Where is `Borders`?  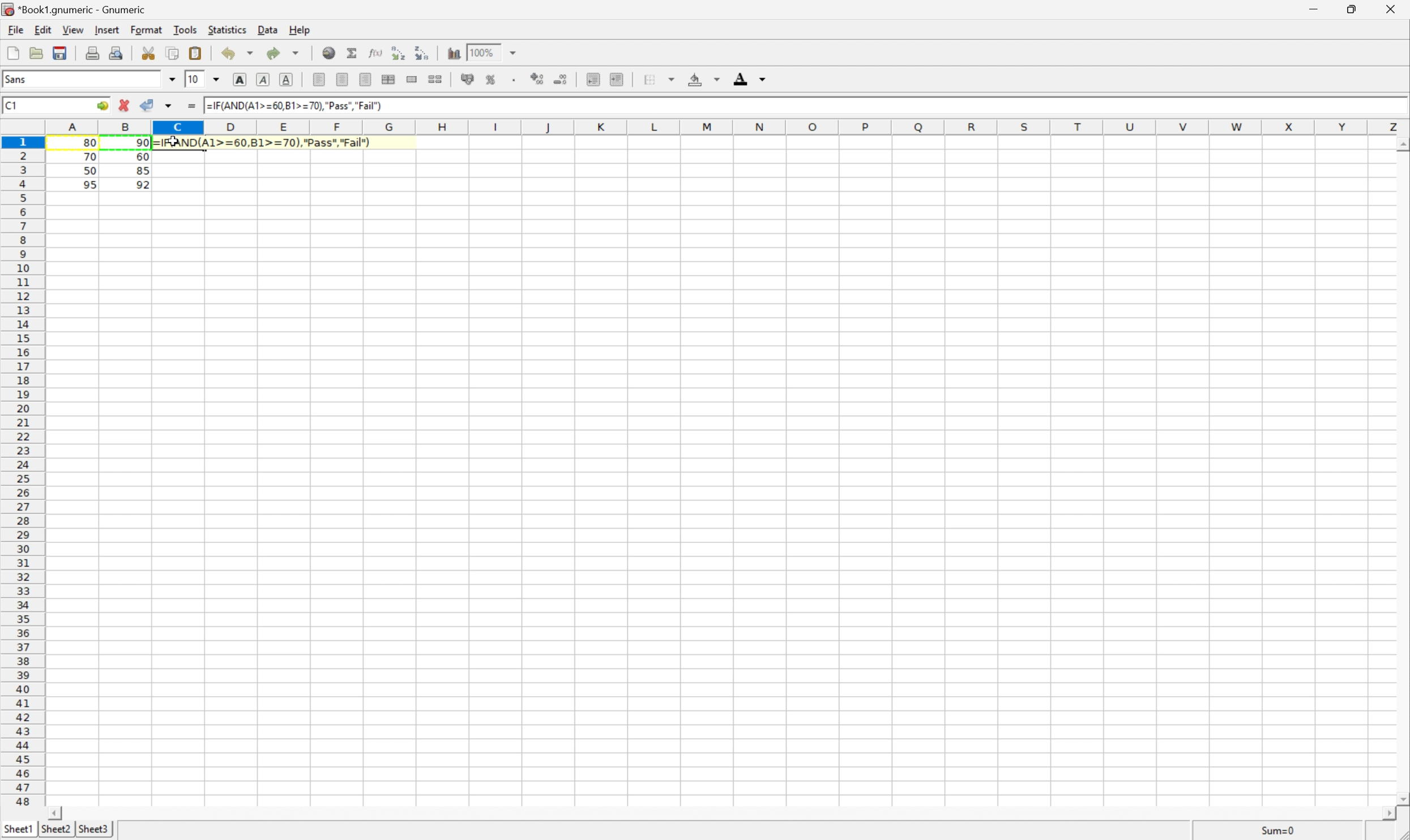
Borders is located at coordinates (659, 76).